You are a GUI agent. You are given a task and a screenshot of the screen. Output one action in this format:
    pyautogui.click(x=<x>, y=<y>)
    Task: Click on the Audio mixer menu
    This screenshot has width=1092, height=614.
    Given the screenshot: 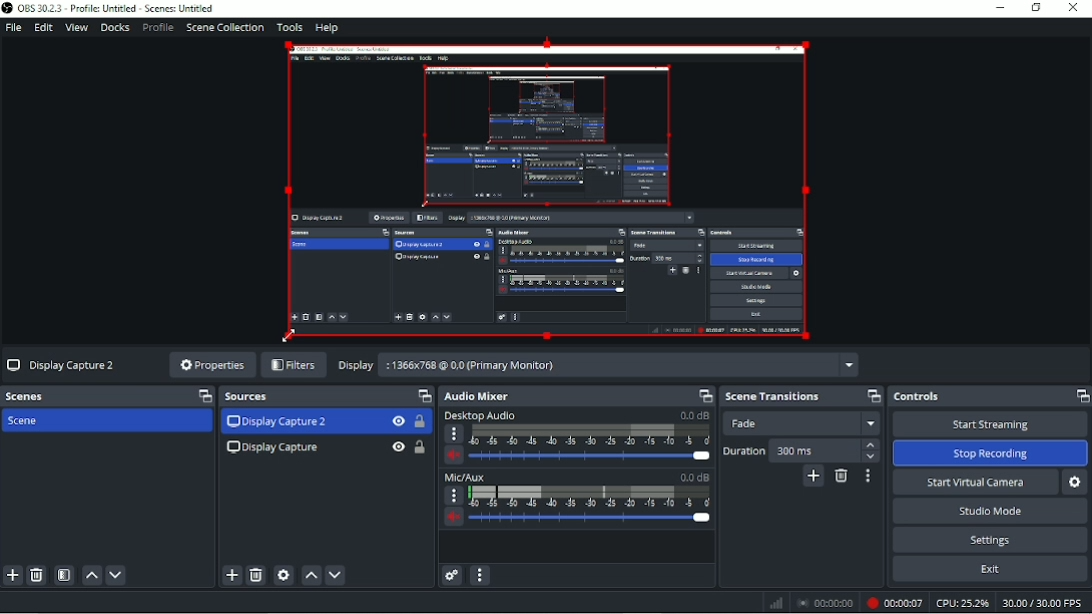 What is the action you would take?
    pyautogui.click(x=483, y=576)
    